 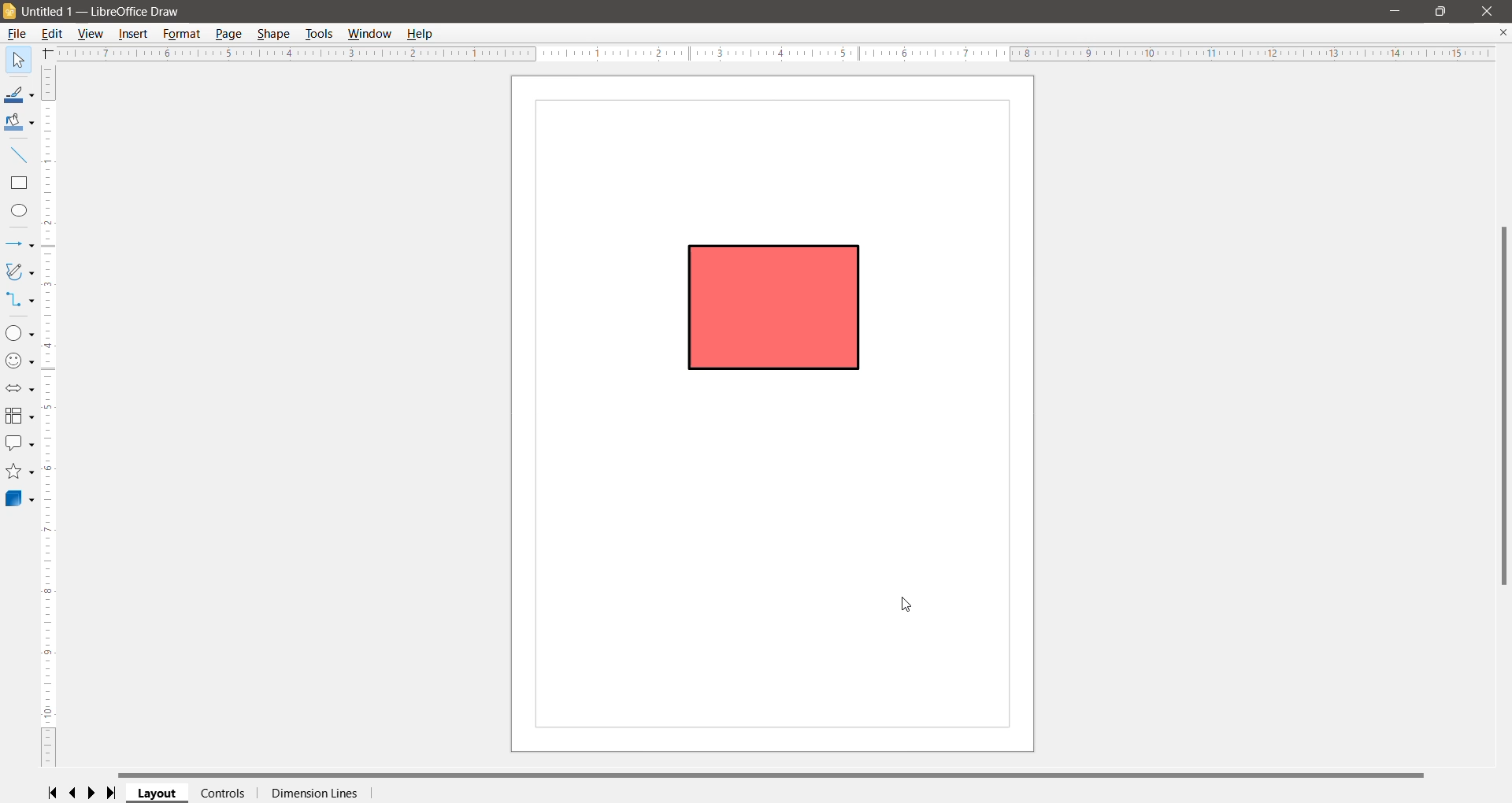 I want to click on Help, so click(x=421, y=33).